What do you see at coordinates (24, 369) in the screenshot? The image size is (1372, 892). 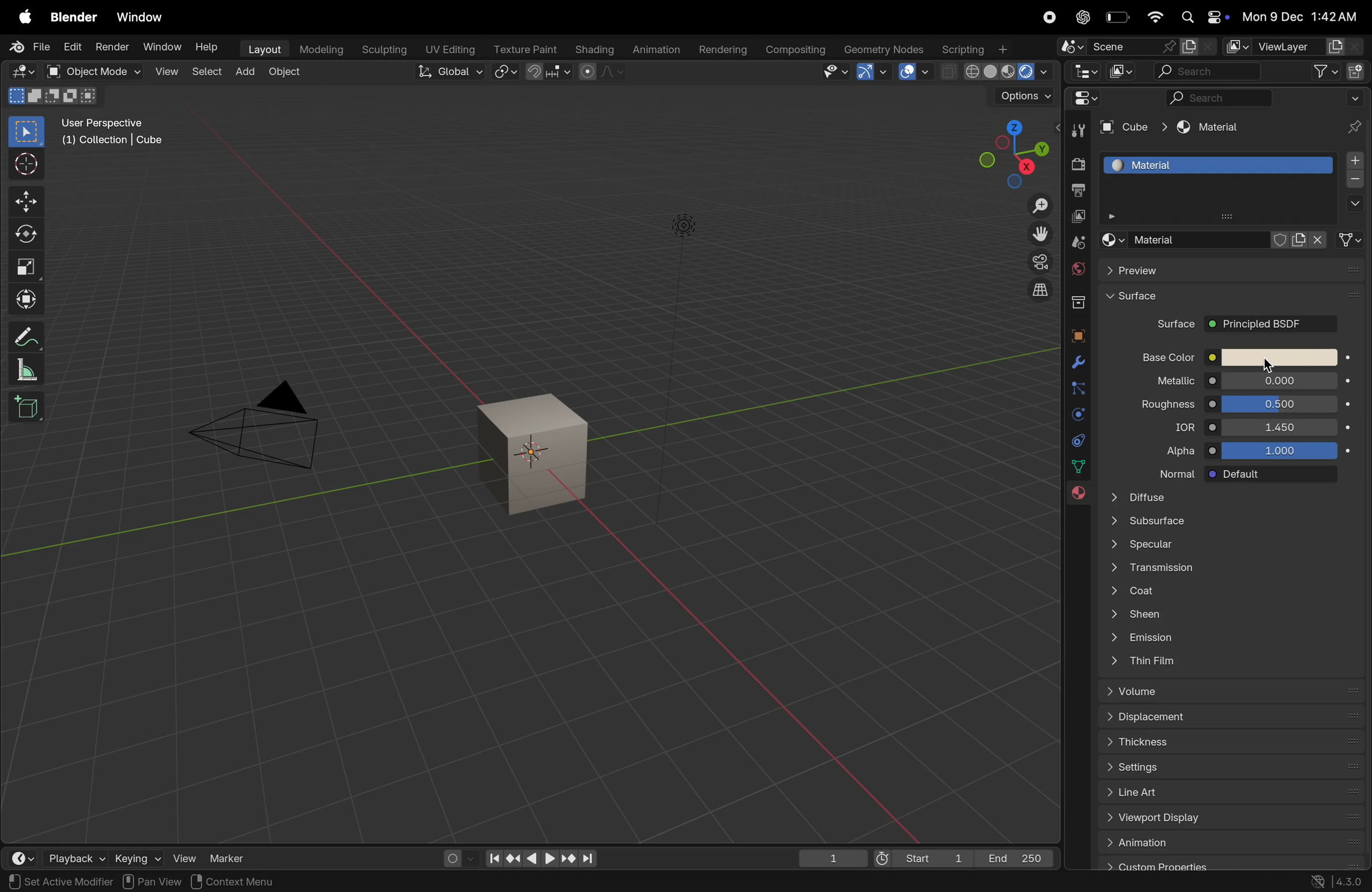 I see `measure ` at bounding box center [24, 369].